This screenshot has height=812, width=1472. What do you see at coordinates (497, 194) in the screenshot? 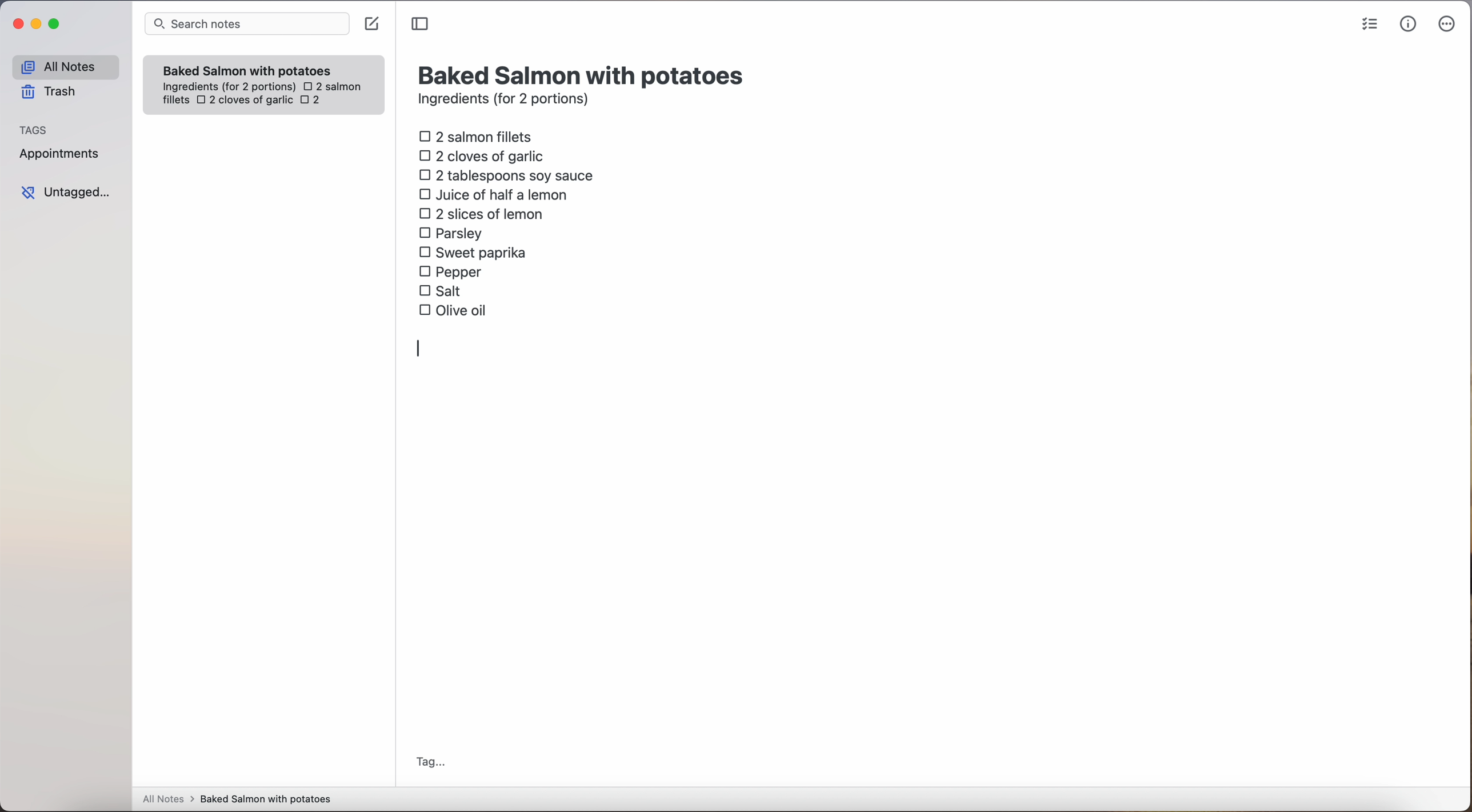
I see `juice of half a lemon` at bounding box center [497, 194].